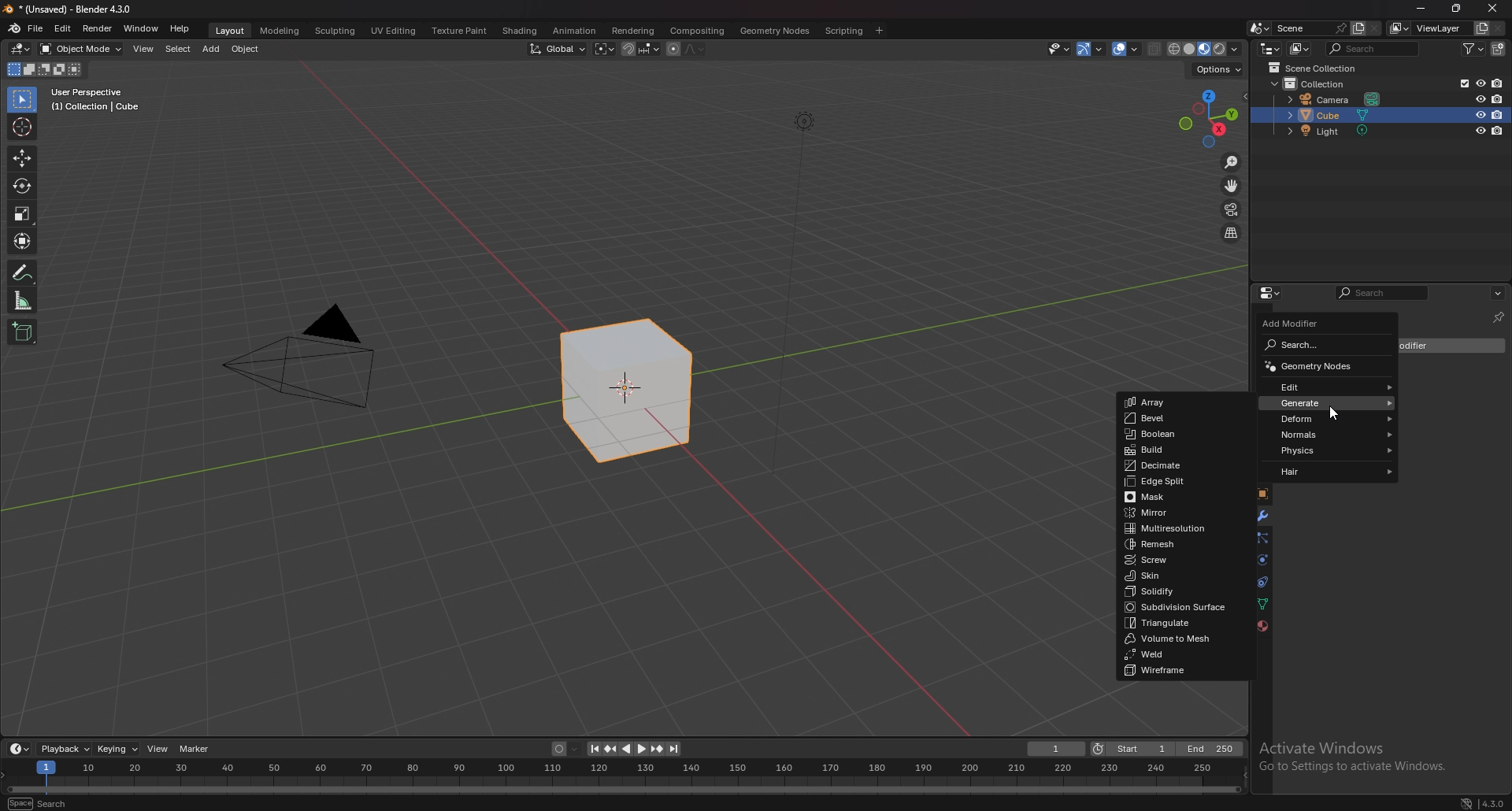  What do you see at coordinates (1421, 9) in the screenshot?
I see `minimize` at bounding box center [1421, 9].